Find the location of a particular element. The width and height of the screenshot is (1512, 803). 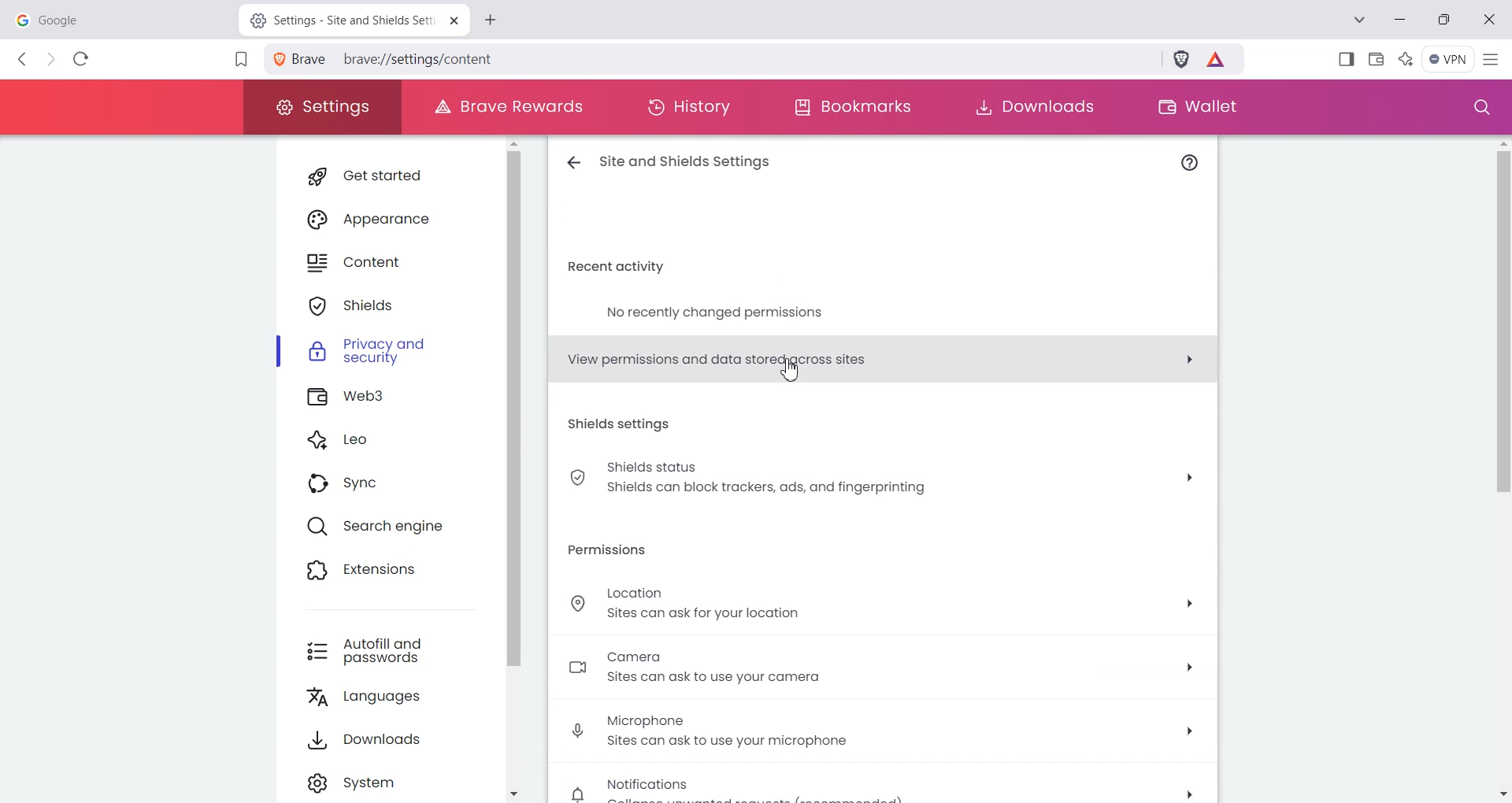

Notification is located at coordinates (885, 786).